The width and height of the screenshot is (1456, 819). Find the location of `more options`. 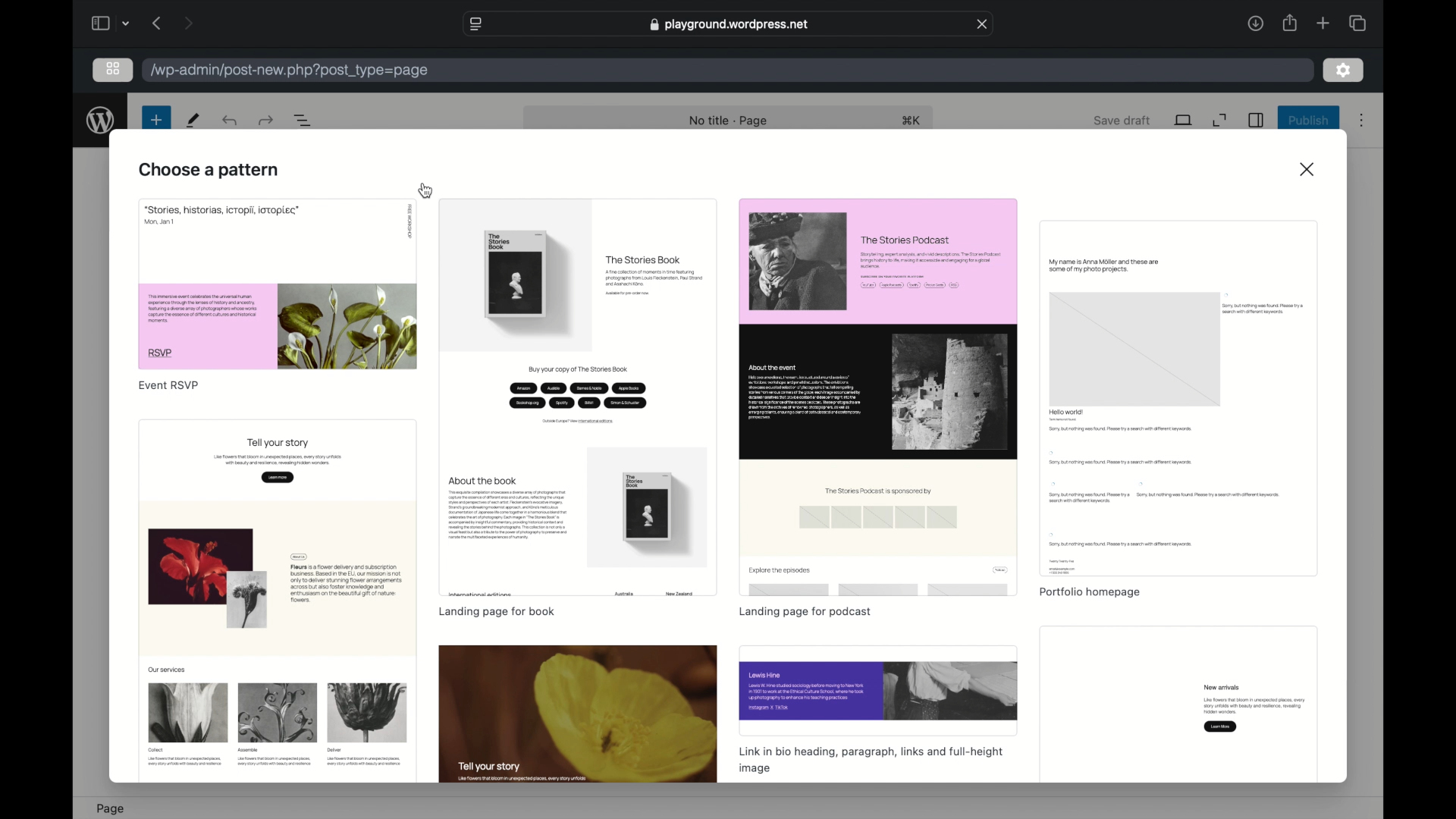

more options is located at coordinates (1362, 121).